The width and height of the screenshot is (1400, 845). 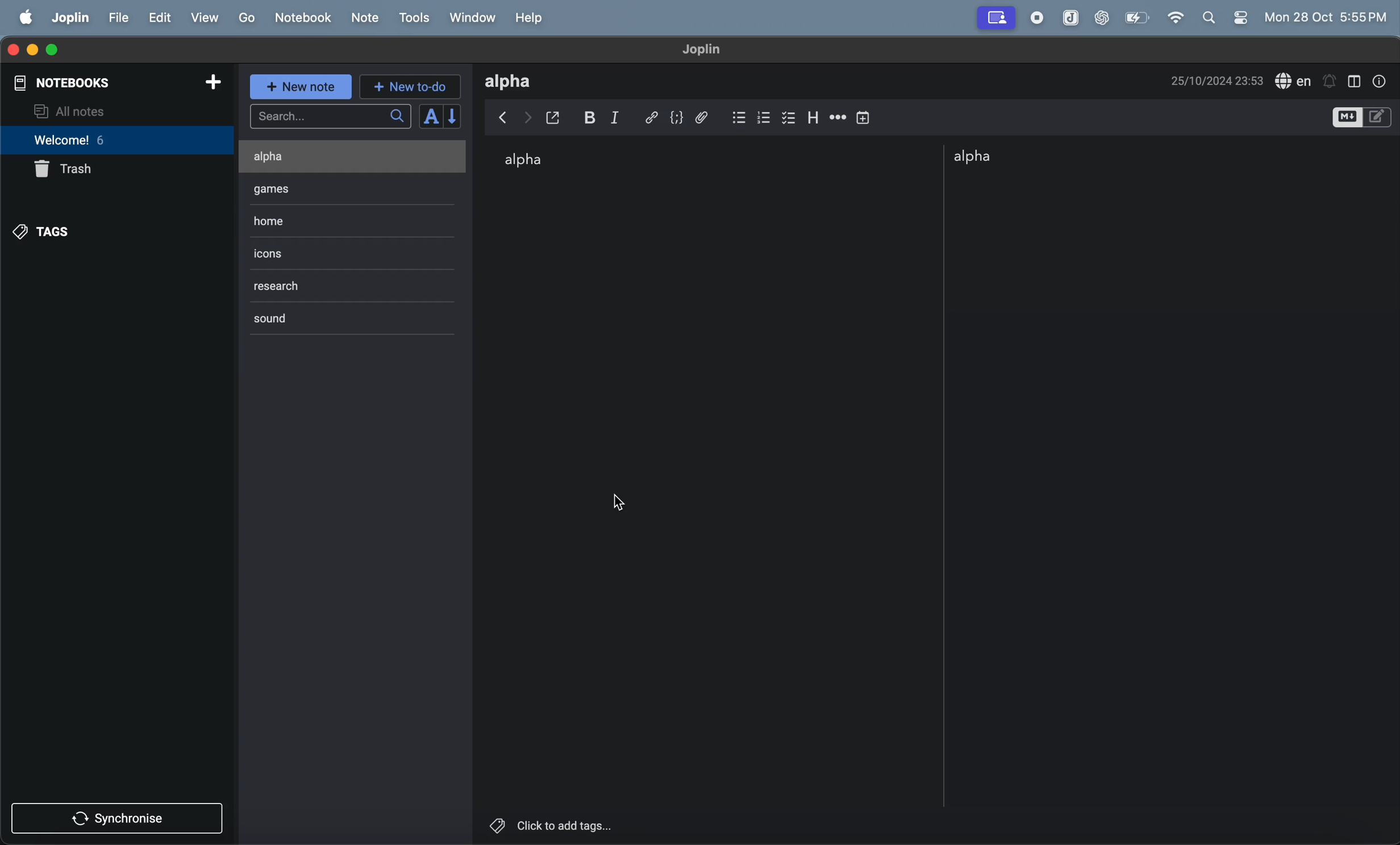 What do you see at coordinates (301, 87) in the screenshot?
I see `new note` at bounding box center [301, 87].